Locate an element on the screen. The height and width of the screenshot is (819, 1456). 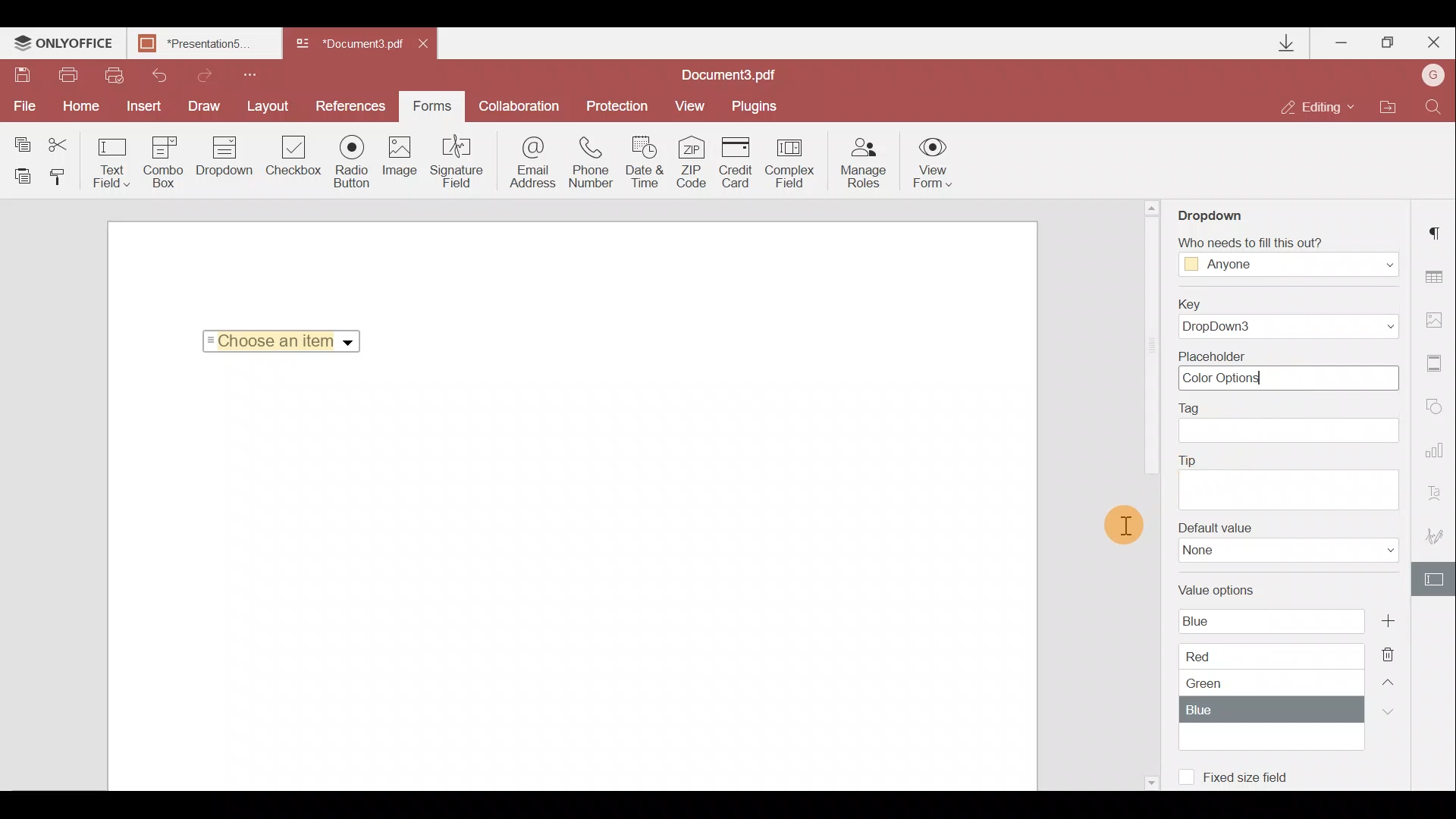
Credit card is located at coordinates (738, 161).